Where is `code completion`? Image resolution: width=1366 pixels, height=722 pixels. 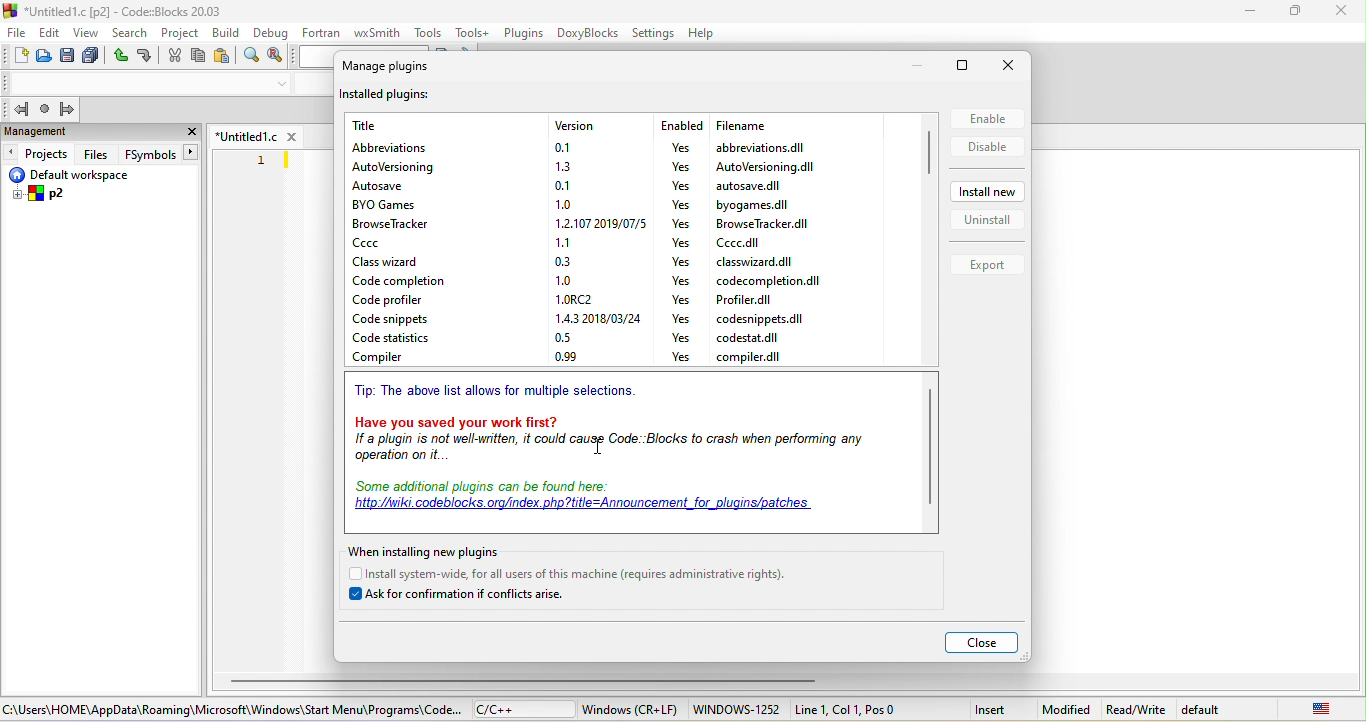 code completion is located at coordinates (396, 280).